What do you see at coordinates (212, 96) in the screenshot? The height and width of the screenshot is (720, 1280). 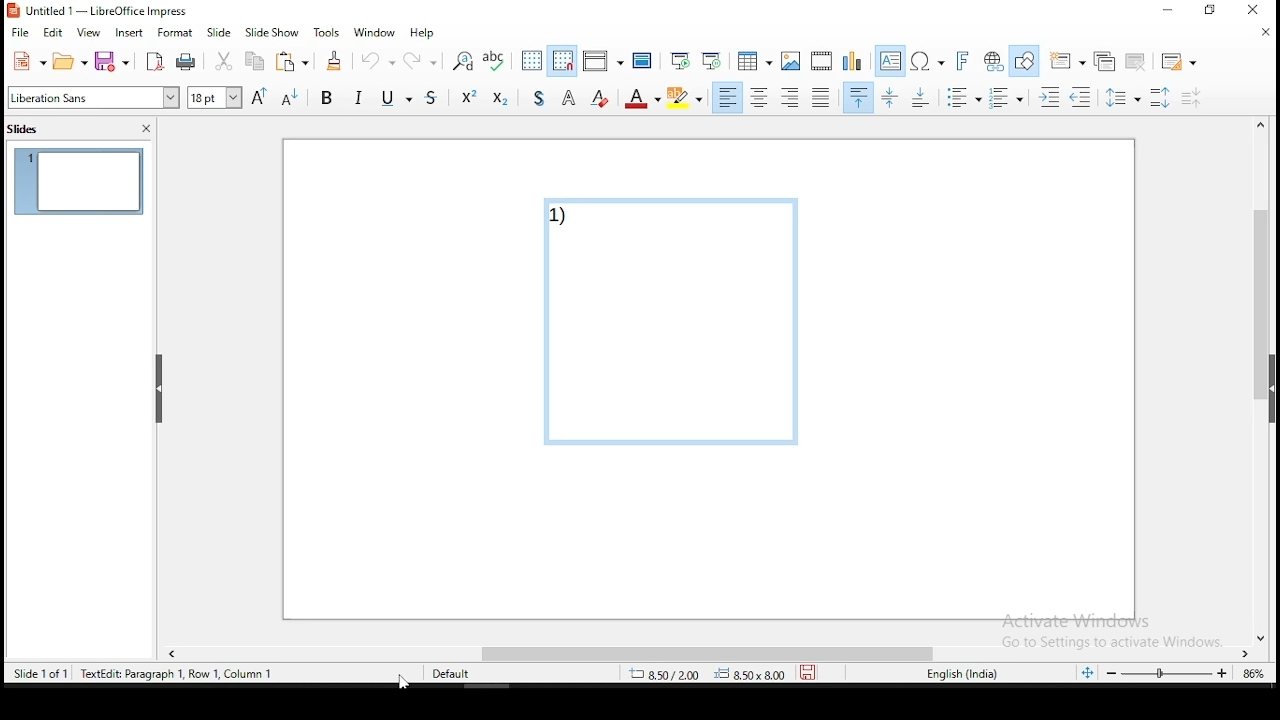 I see `font size` at bounding box center [212, 96].